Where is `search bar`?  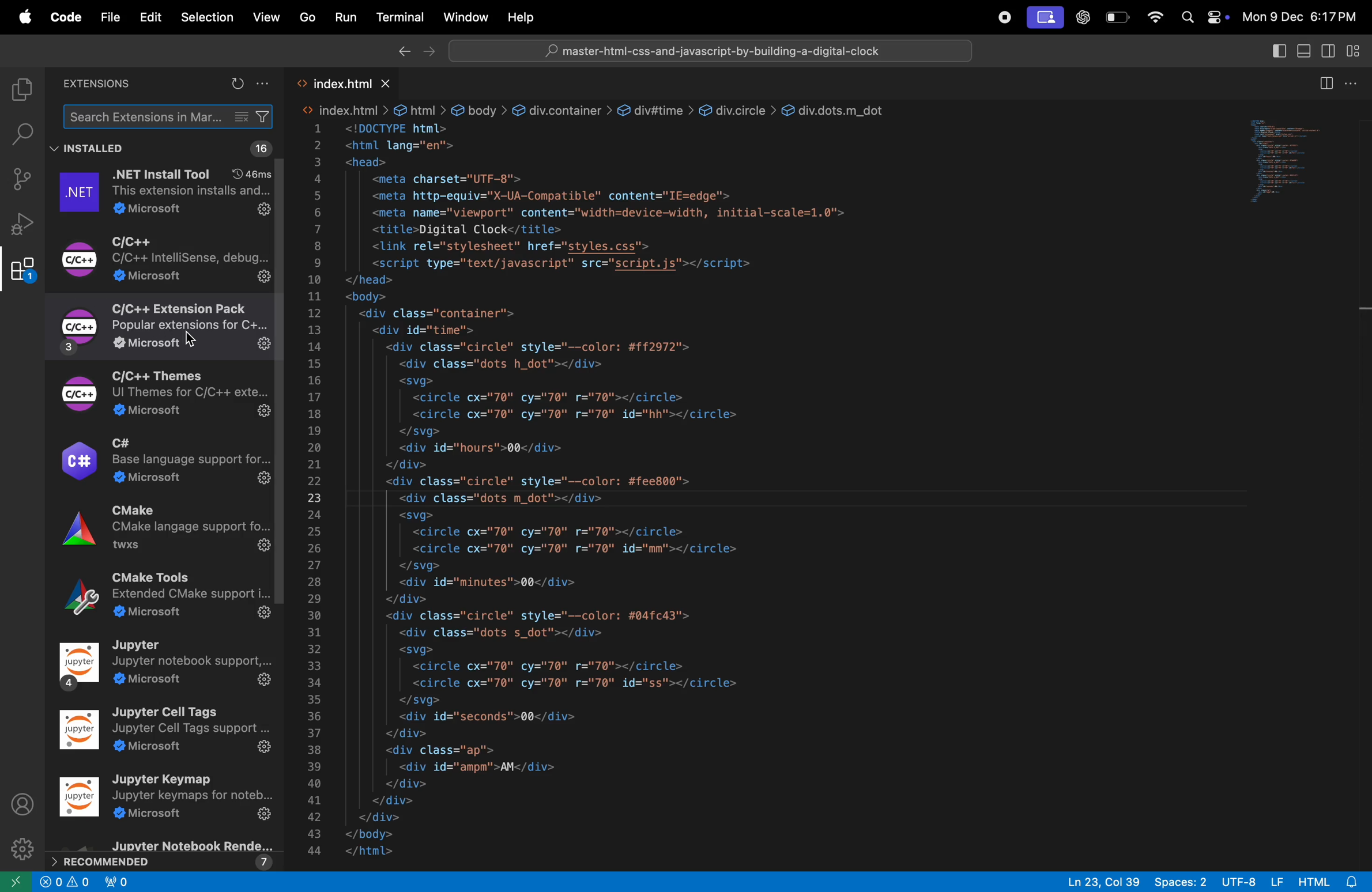 search bar is located at coordinates (710, 50).